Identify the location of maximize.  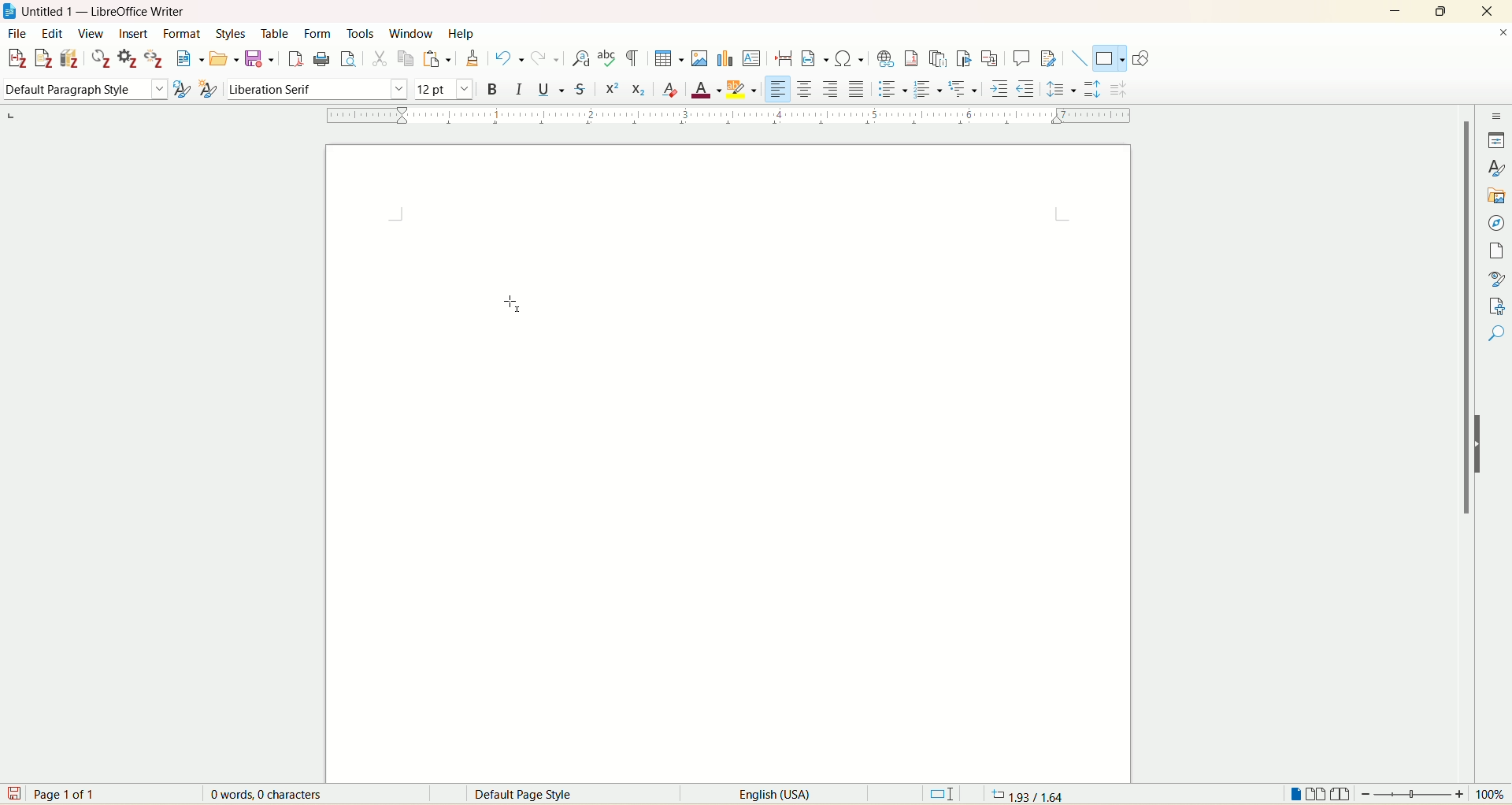
(1444, 10).